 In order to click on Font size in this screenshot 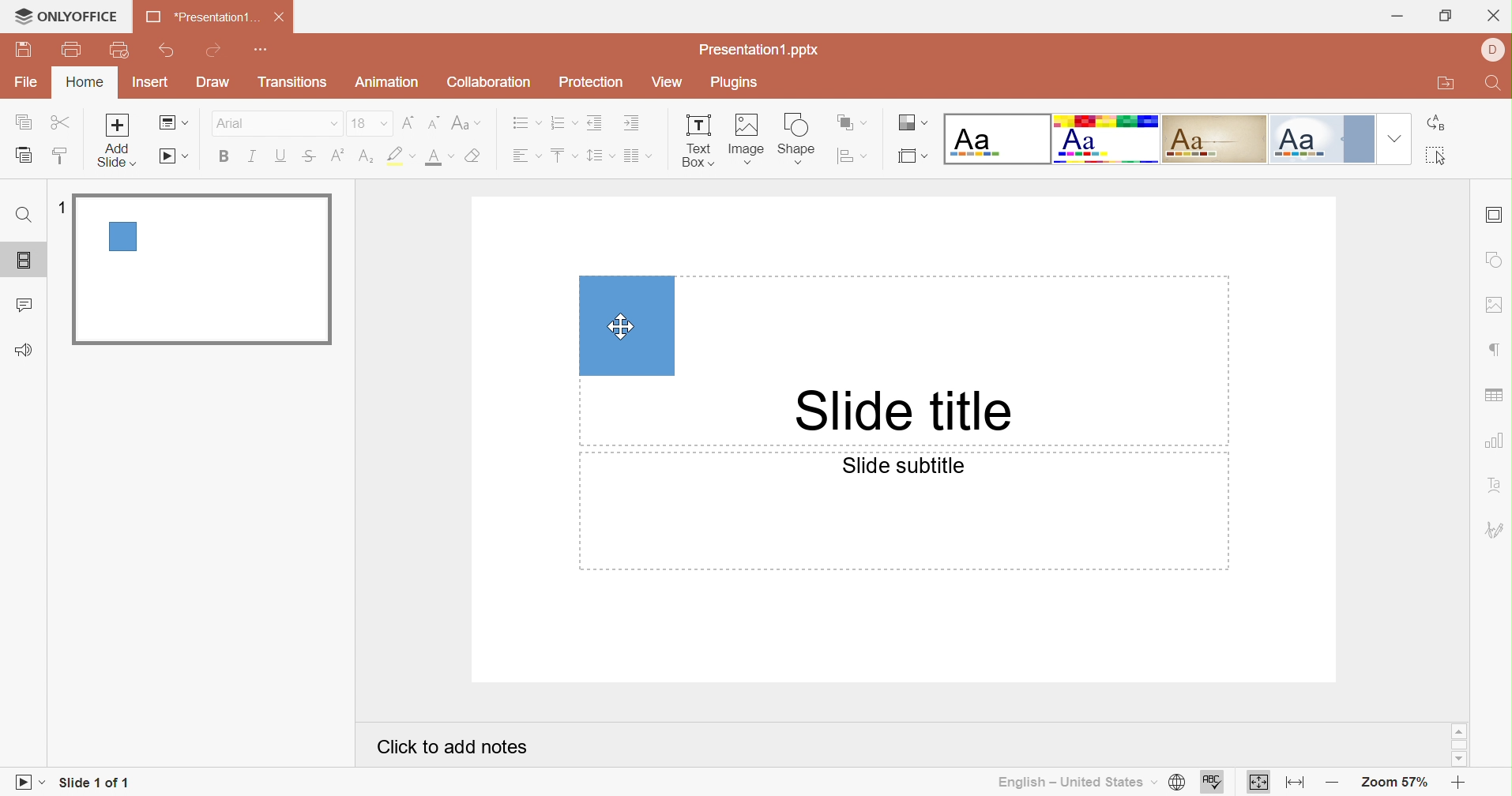, I will do `click(370, 123)`.